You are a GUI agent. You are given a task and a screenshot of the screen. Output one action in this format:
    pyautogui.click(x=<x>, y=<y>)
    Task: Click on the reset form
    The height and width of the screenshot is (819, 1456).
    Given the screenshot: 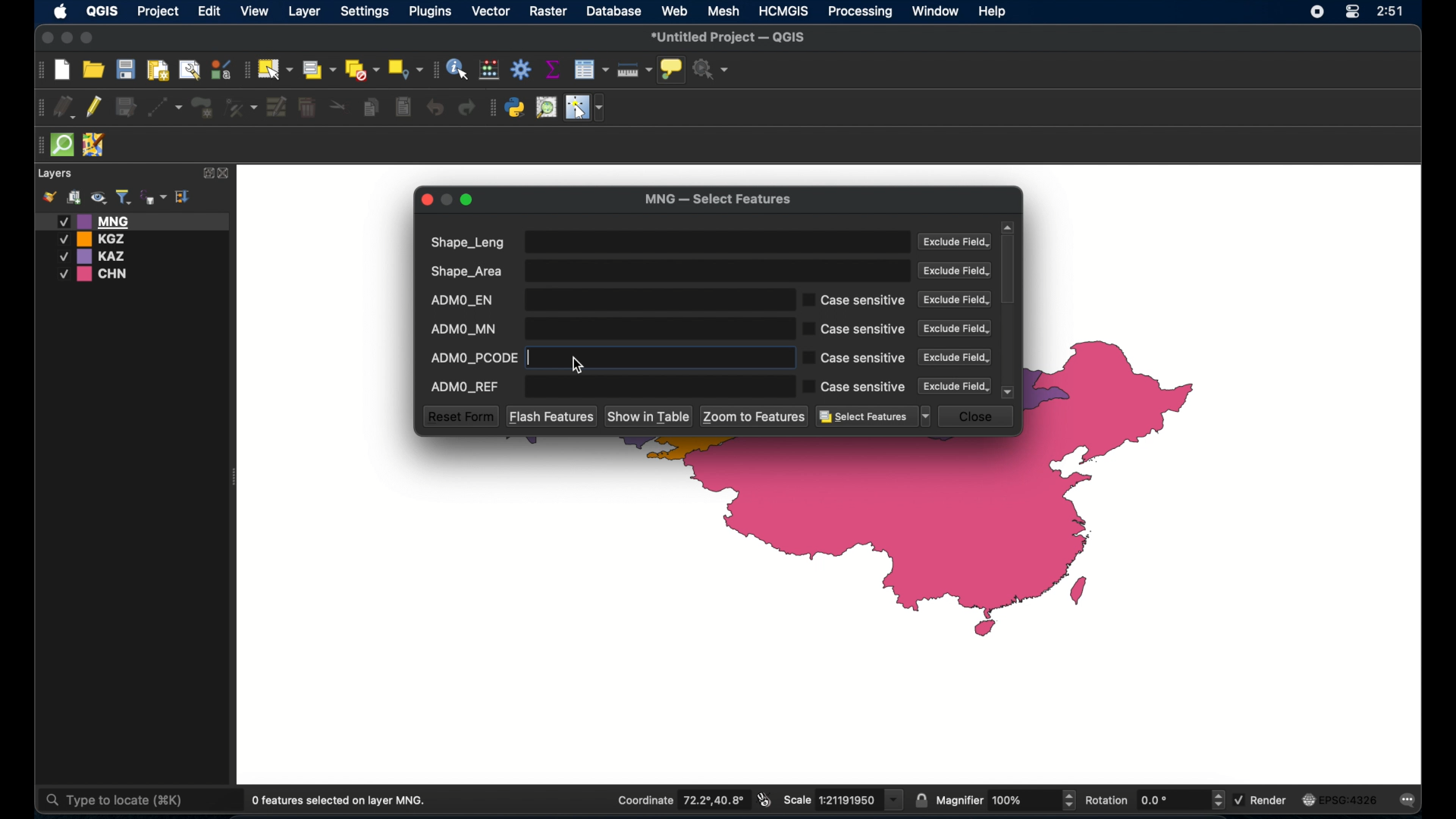 What is the action you would take?
    pyautogui.click(x=460, y=416)
    